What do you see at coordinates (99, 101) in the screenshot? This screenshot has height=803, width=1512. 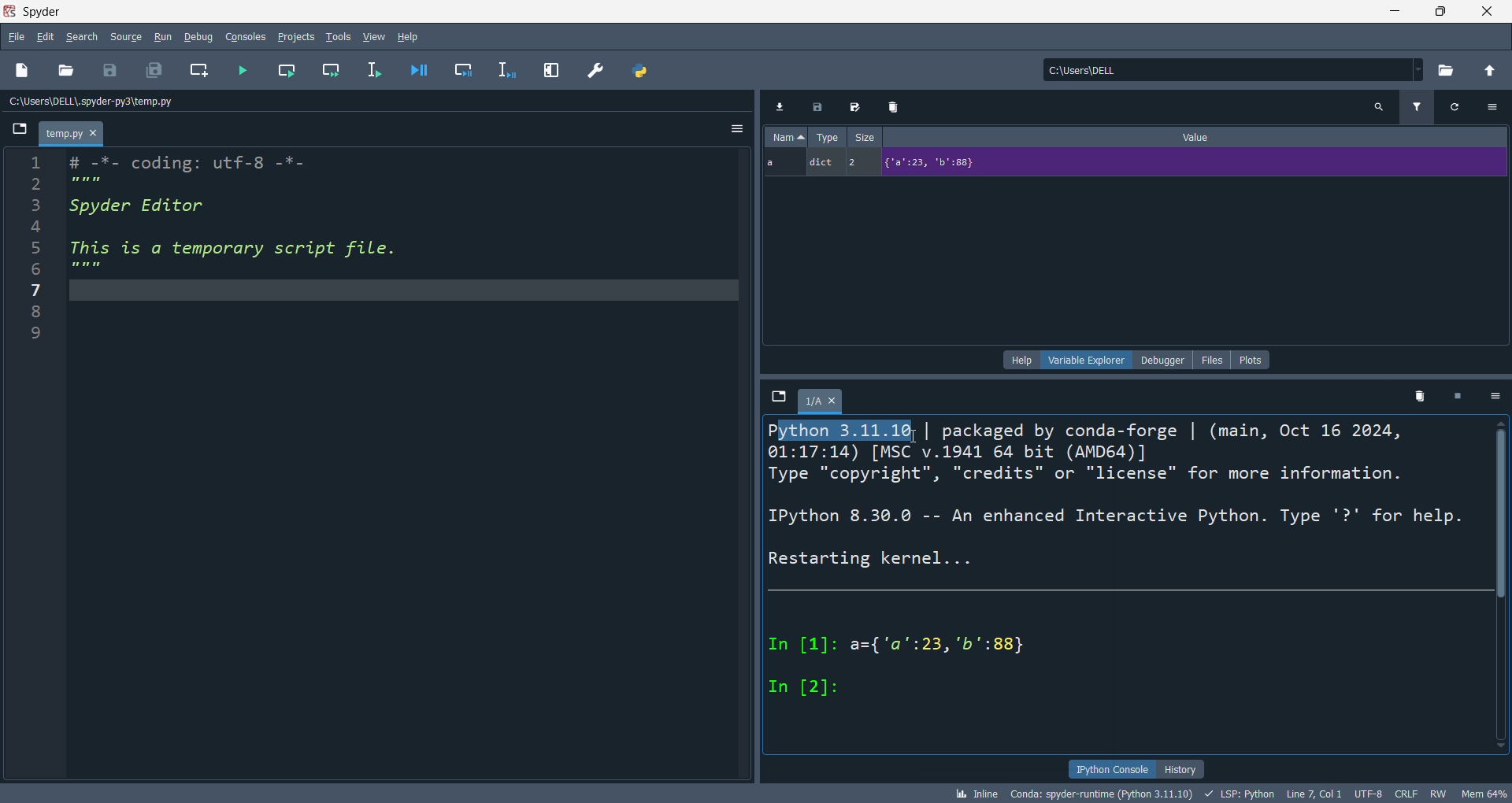 I see `c:\users\dell\.spyder-py3\temp.py` at bounding box center [99, 101].